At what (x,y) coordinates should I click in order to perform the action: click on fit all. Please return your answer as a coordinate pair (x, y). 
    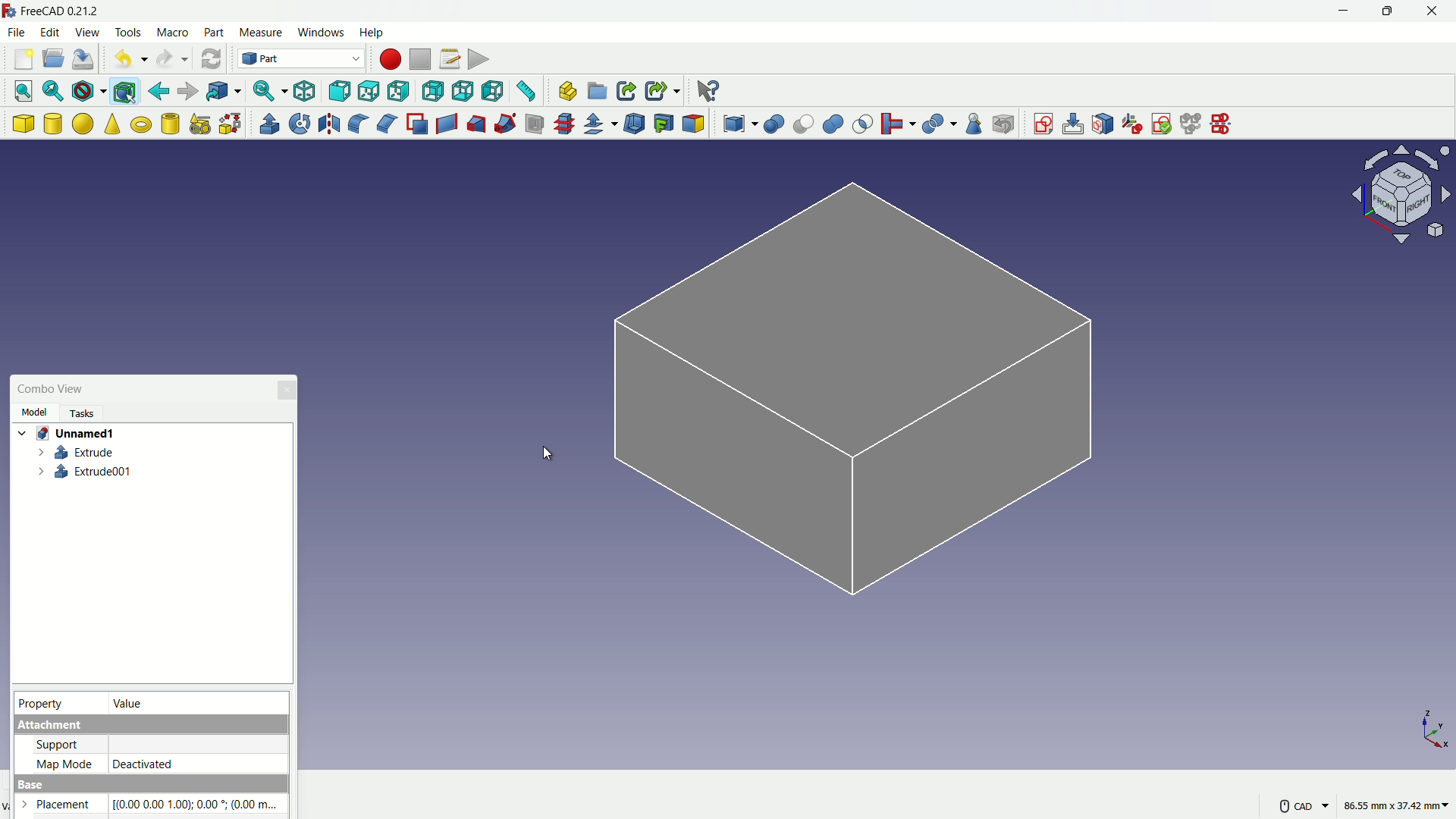
    Looking at the image, I should click on (25, 91).